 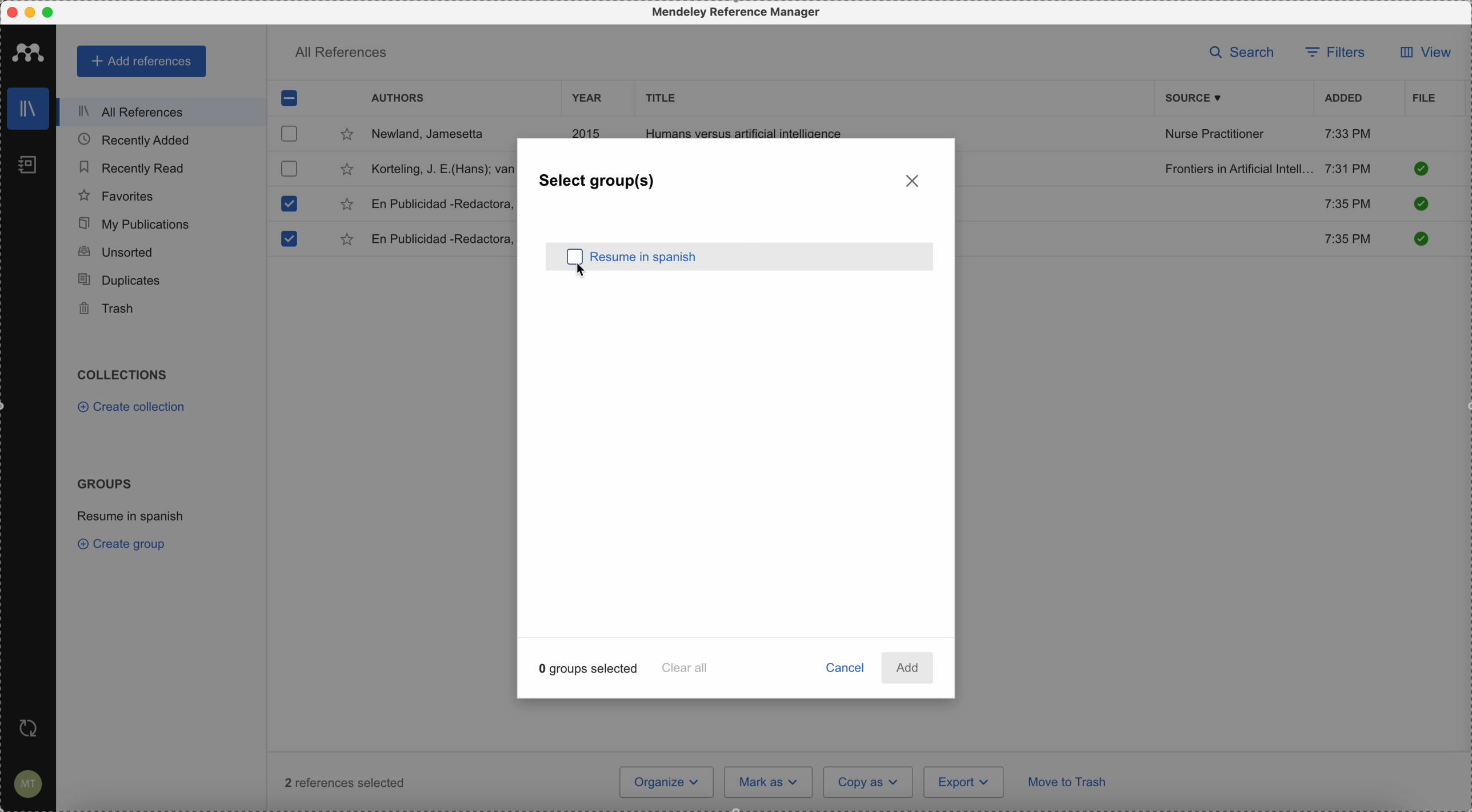 I want to click on favorites, so click(x=117, y=196).